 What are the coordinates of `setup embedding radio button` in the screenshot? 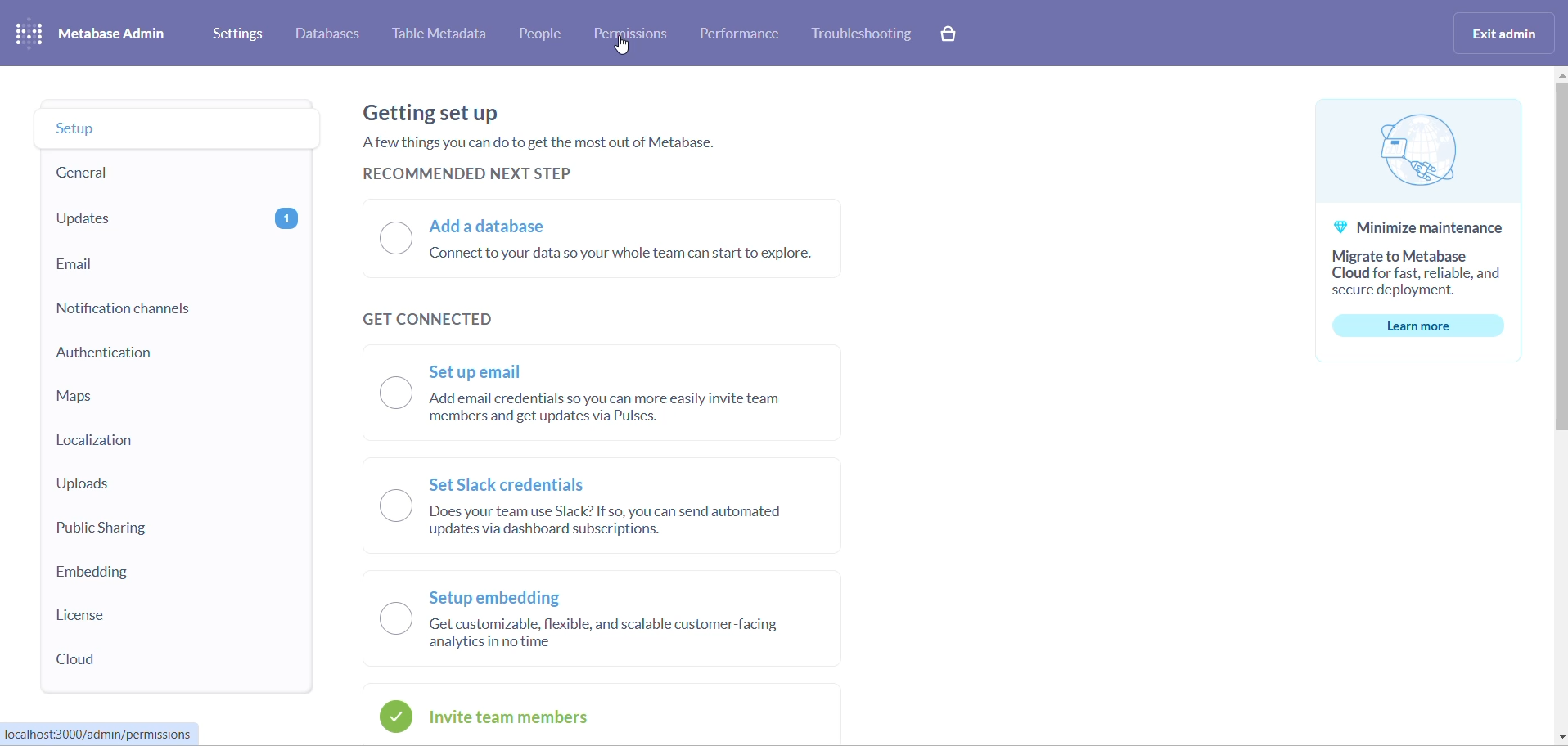 It's located at (649, 627).